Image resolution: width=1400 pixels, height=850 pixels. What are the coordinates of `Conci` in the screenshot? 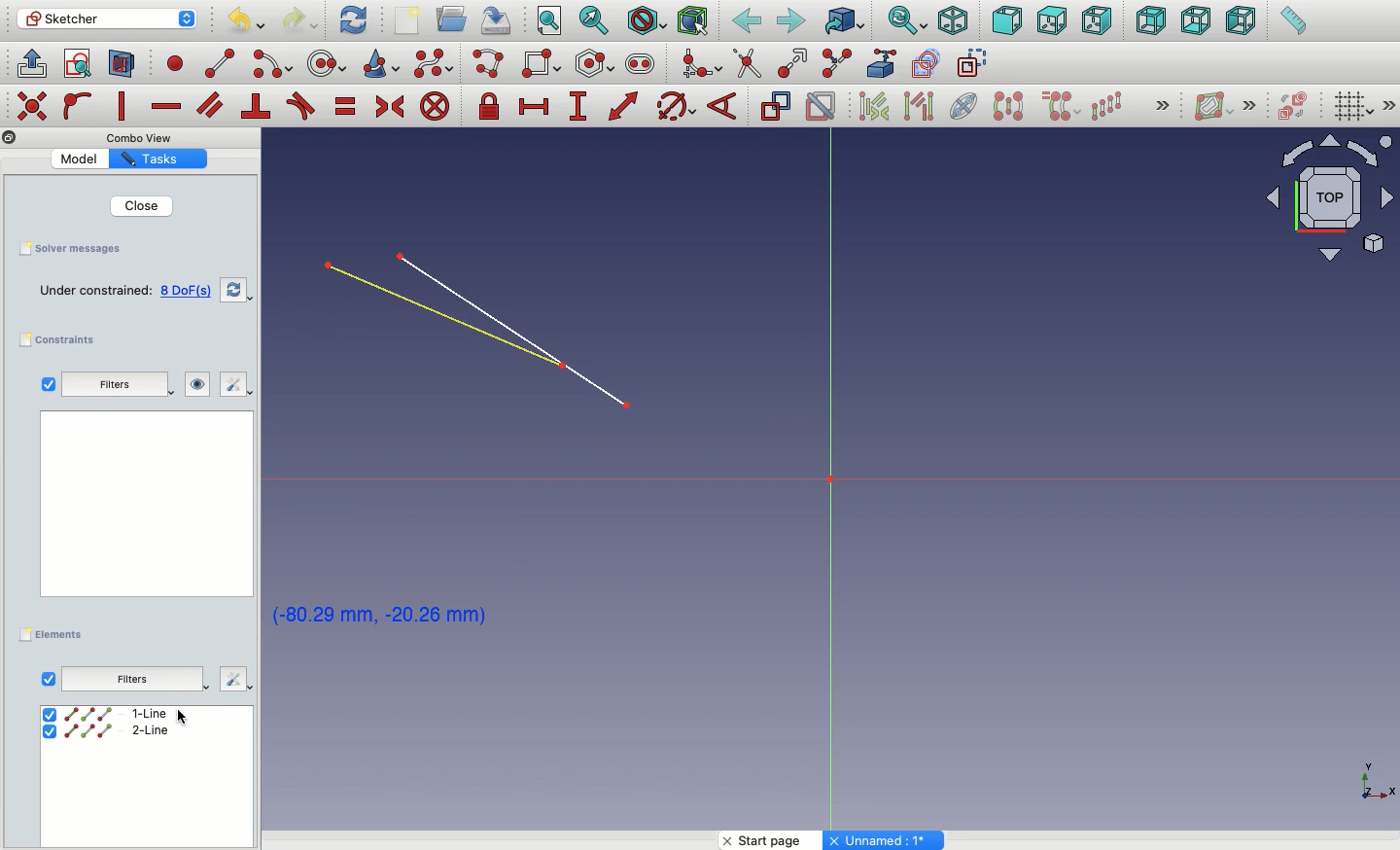 It's located at (382, 63).